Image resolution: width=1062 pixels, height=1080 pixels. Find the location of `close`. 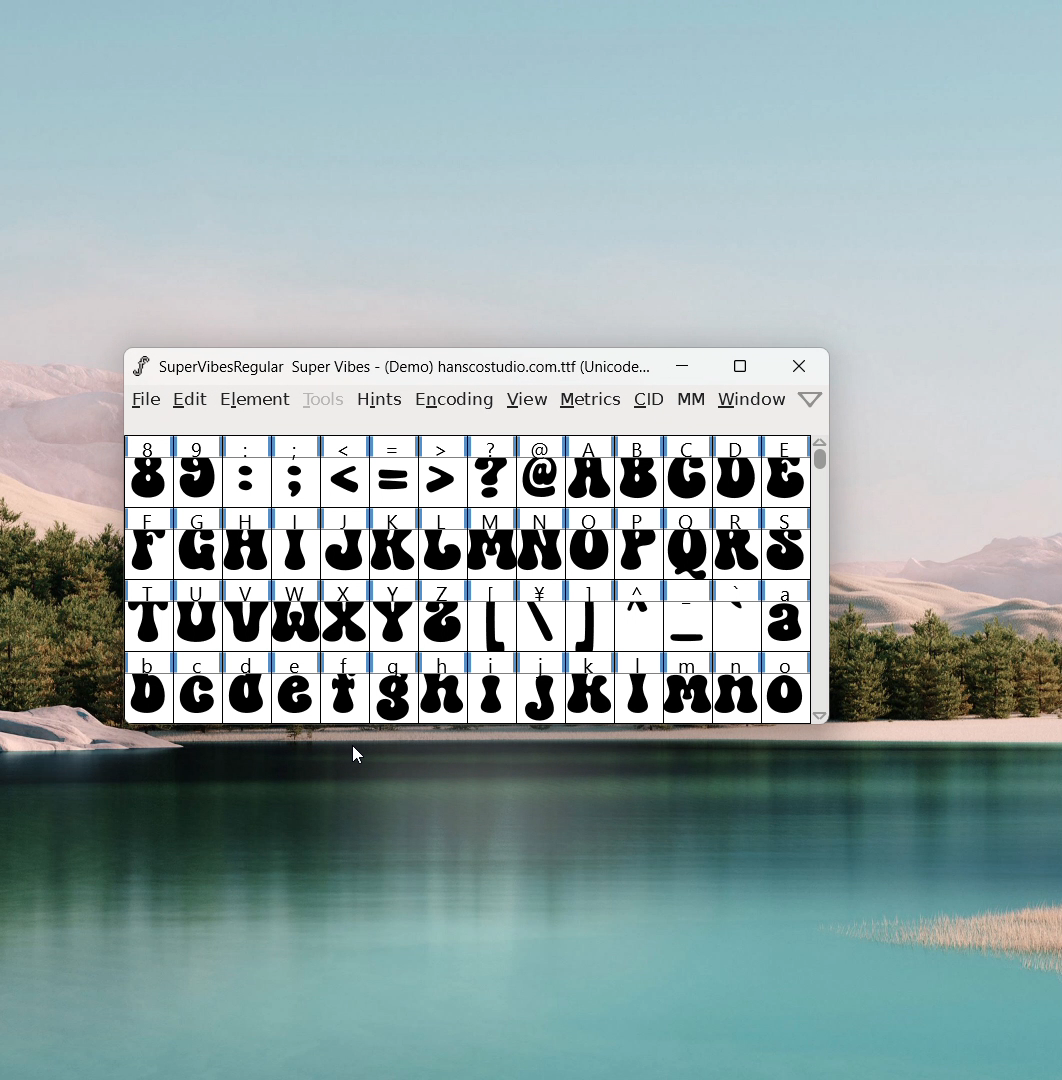

close is located at coordinates (798, 366).